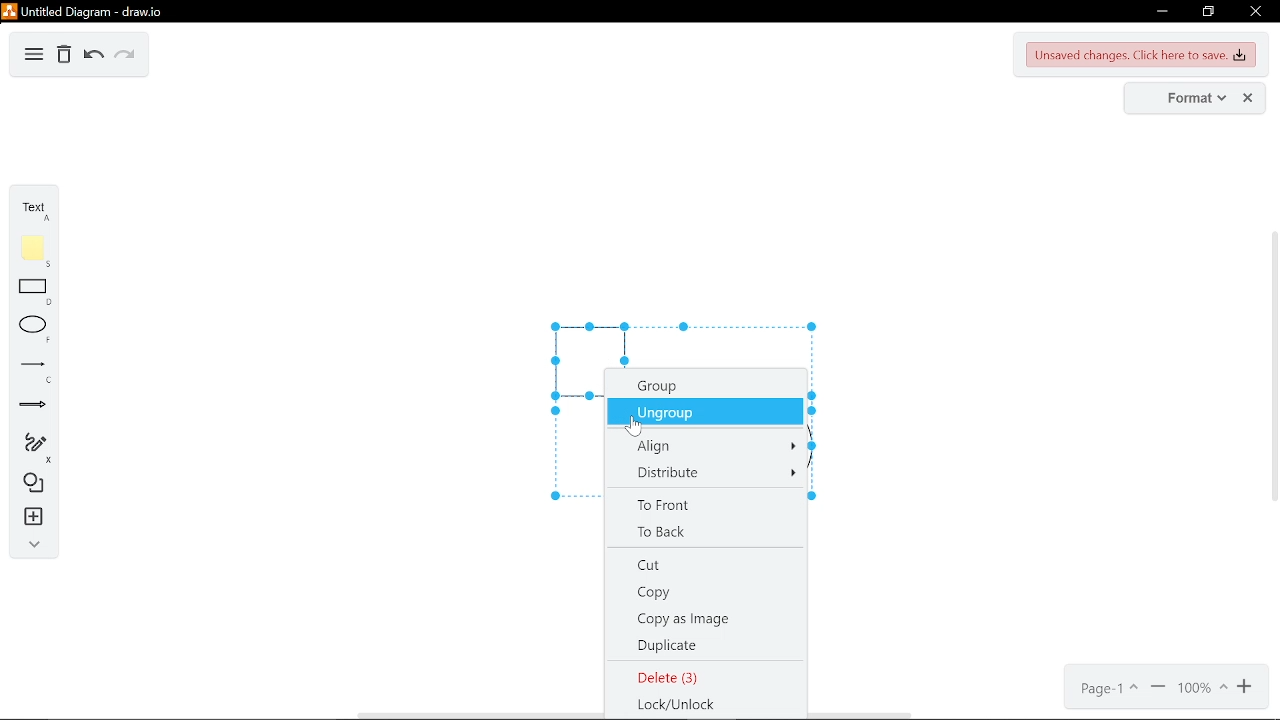 This screenshot has width=1280, height=720. I want to click on rectangle, so click(32, 294).